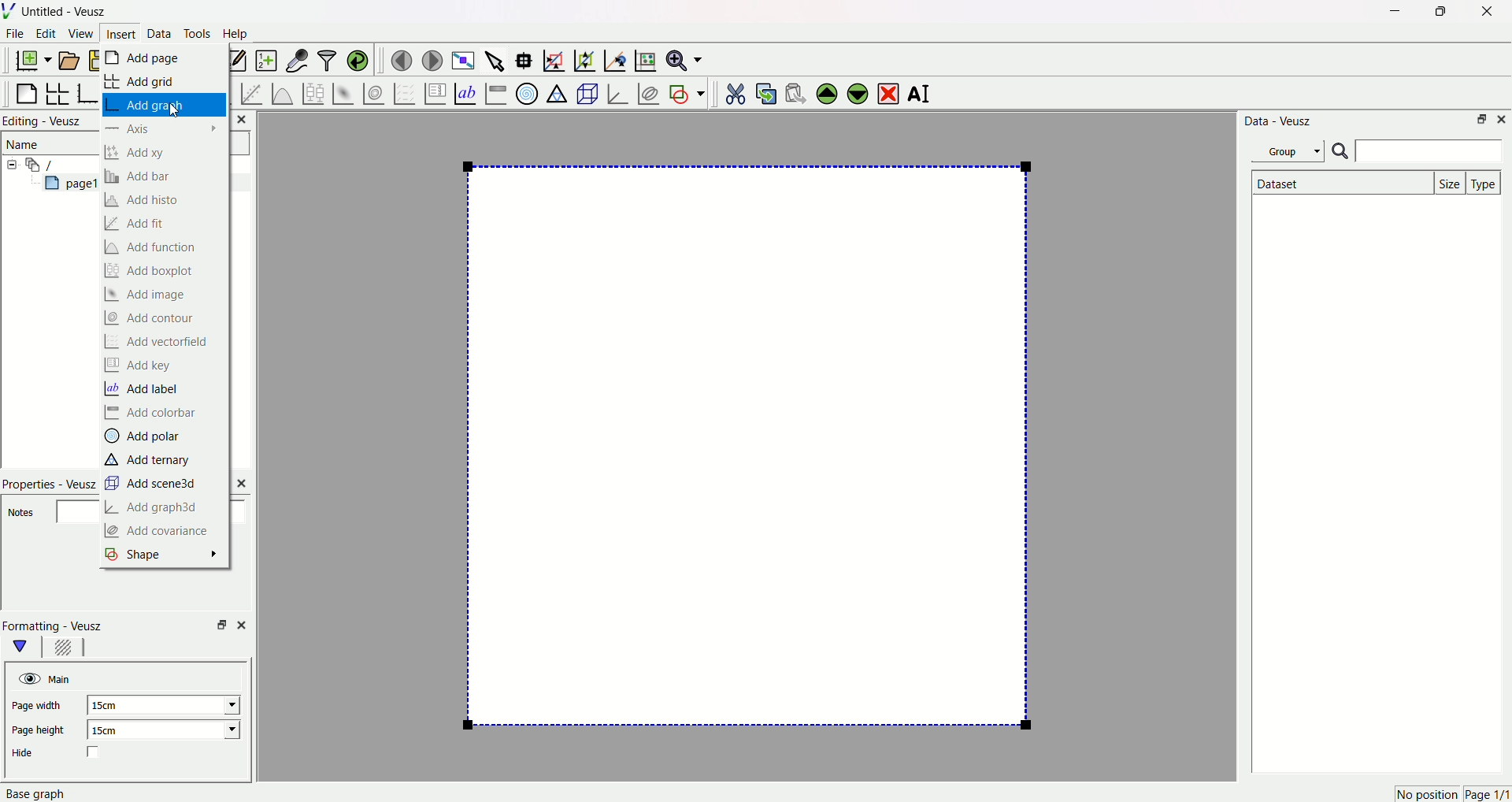 This screenshot has height=802, width=1512. I want to click on close, so click(244, 482).